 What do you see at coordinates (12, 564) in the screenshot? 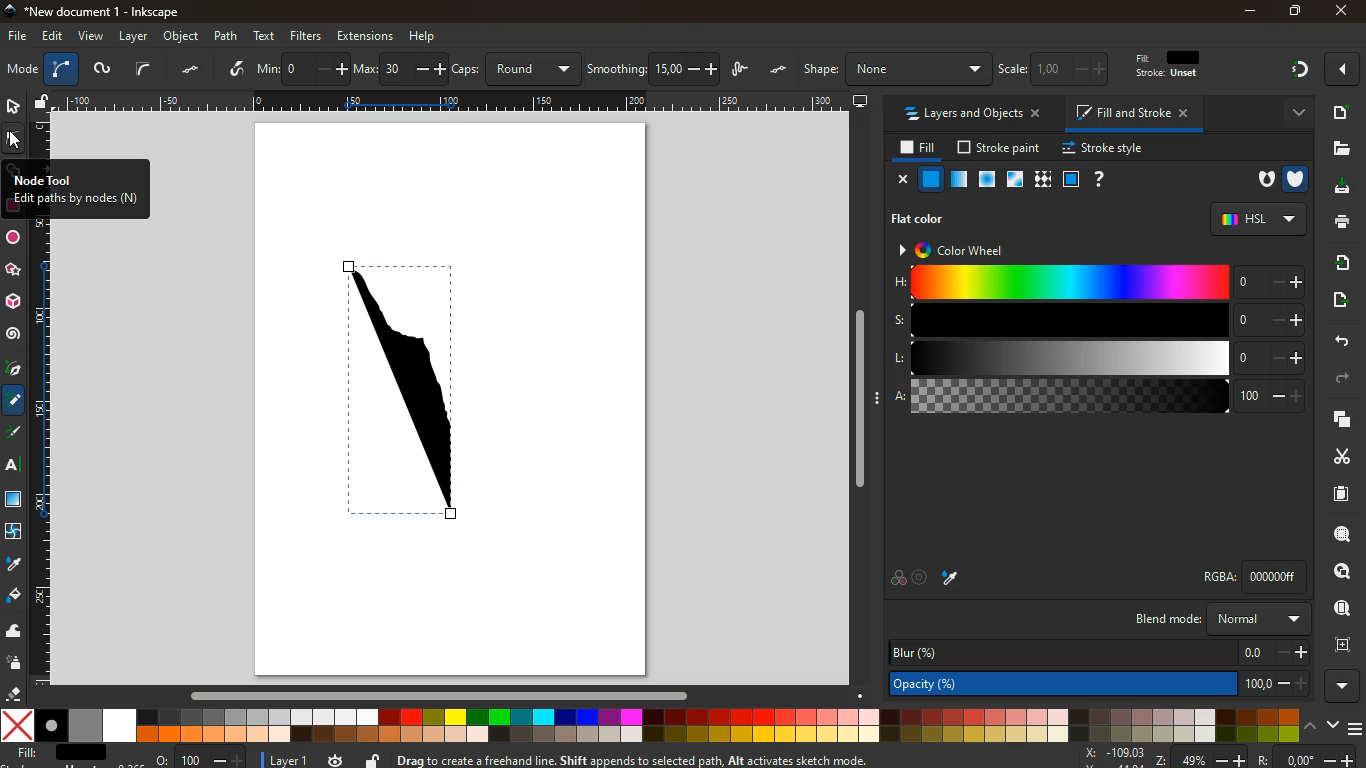
I see `drop` at bounding box center [12, 564].